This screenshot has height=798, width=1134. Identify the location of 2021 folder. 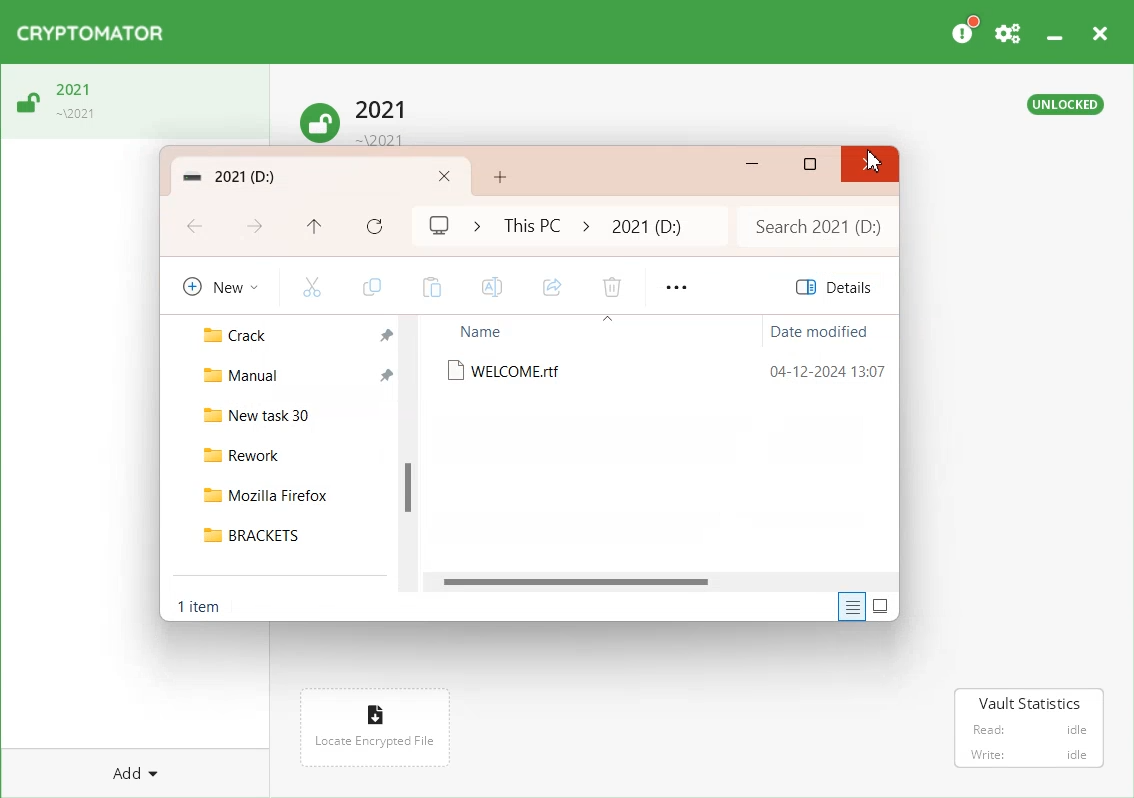
(645, 226).